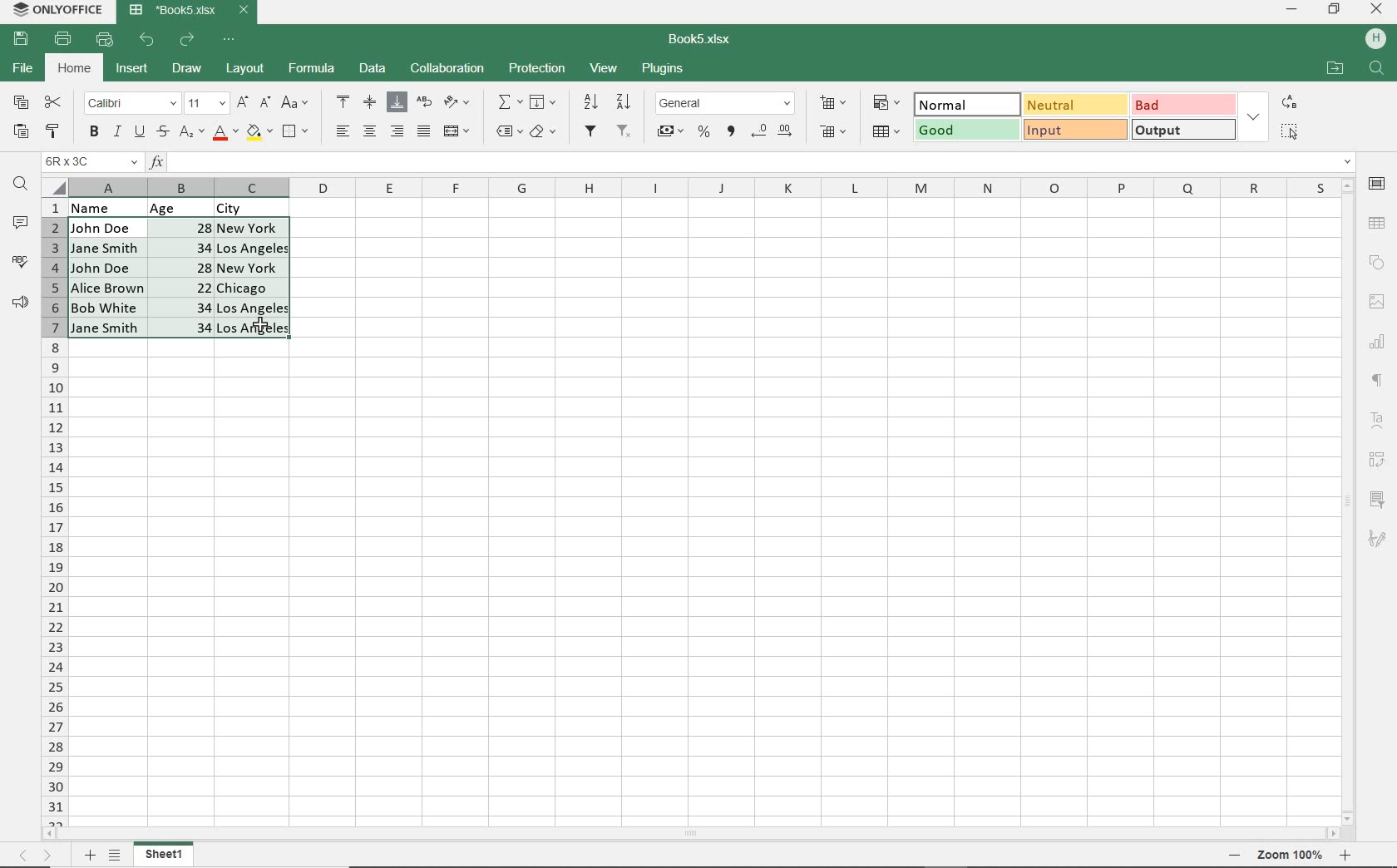 The image size is (1397, 868). I want to click on COPY, so click(22, 103).